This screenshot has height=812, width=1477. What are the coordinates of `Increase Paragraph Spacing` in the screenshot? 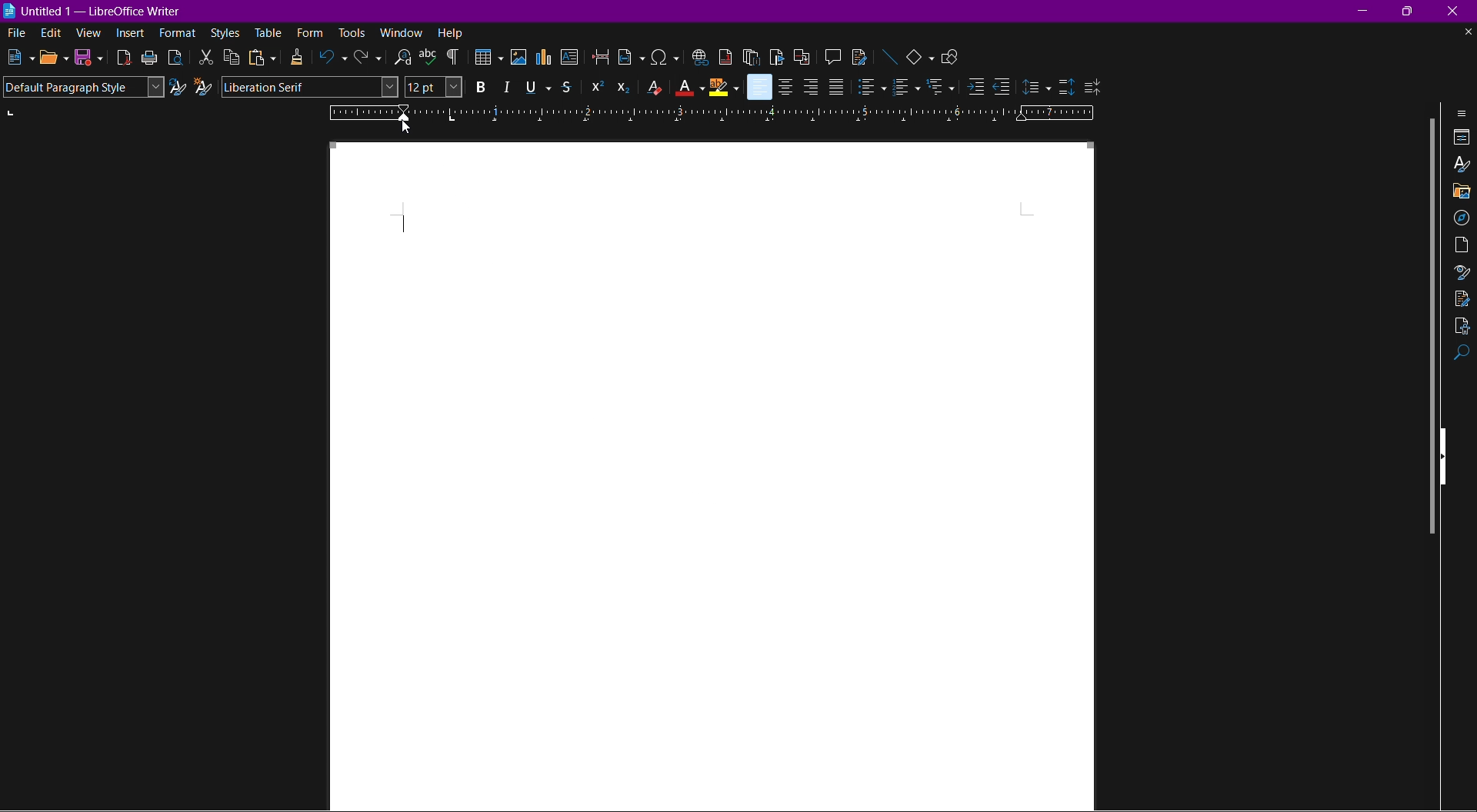 It's located at (1065, 84).